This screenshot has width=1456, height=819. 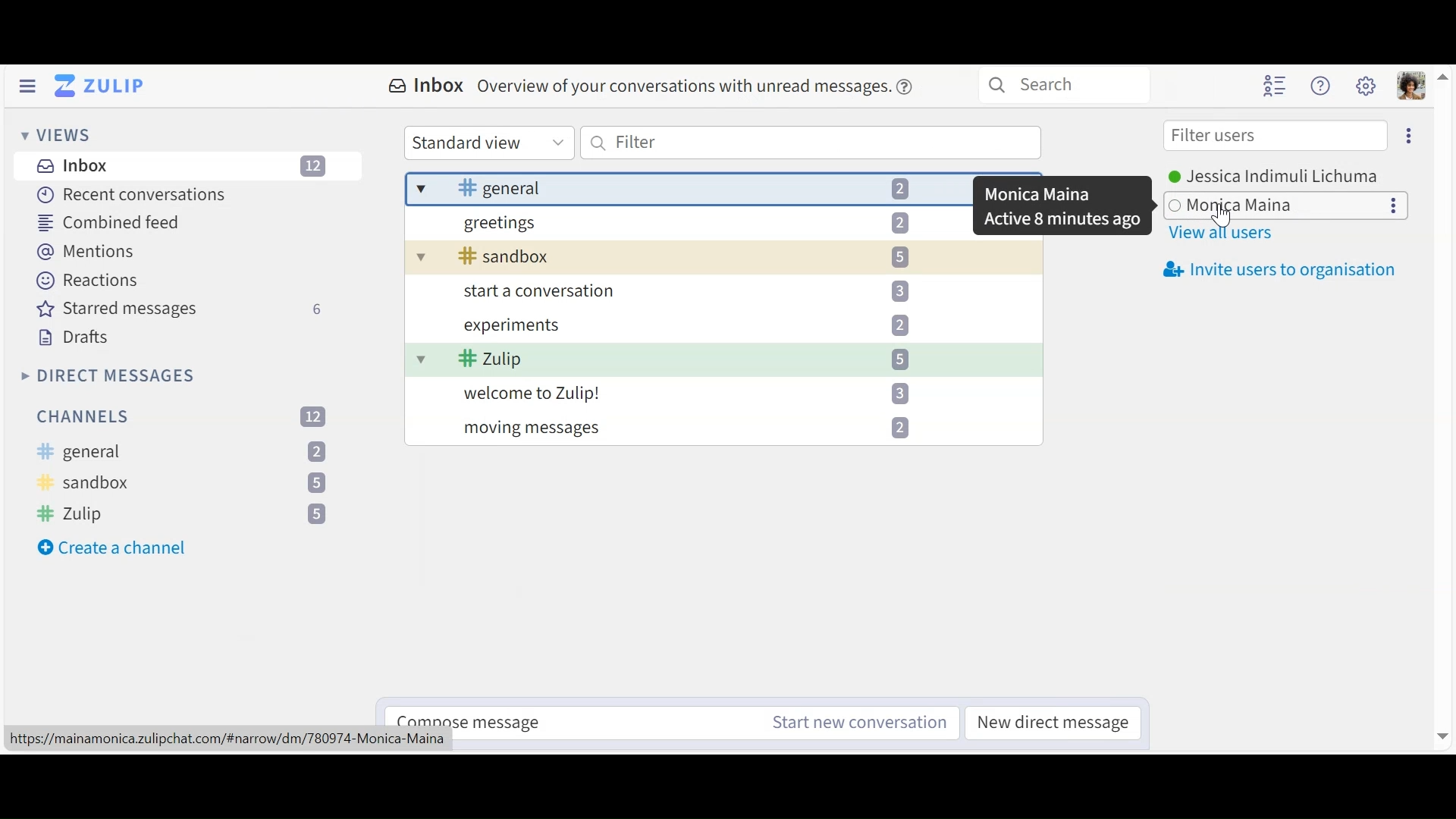 I want to click on Filter users, so click(x=1276, y=136).